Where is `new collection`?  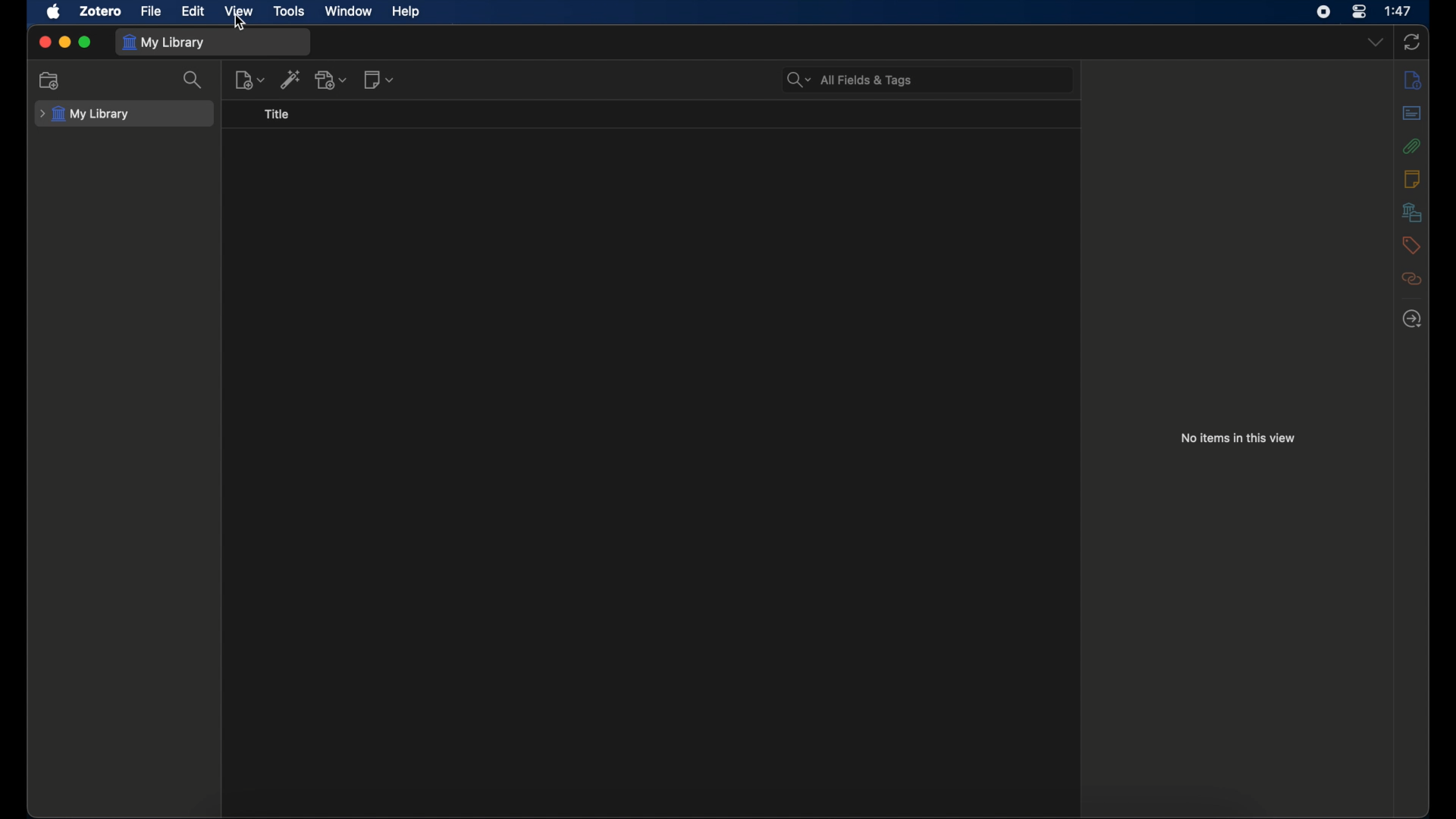
new collection is located at coordinates (51, 80).